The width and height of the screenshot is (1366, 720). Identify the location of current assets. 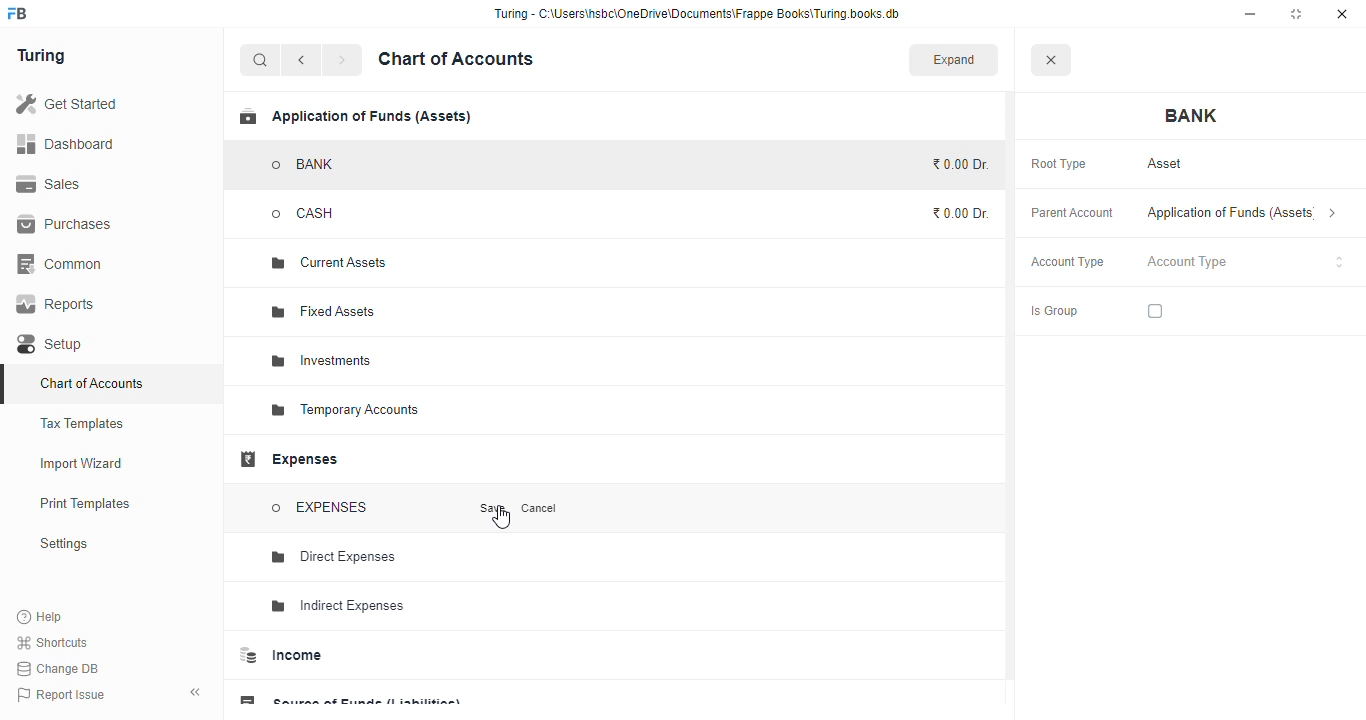
(329, 264).